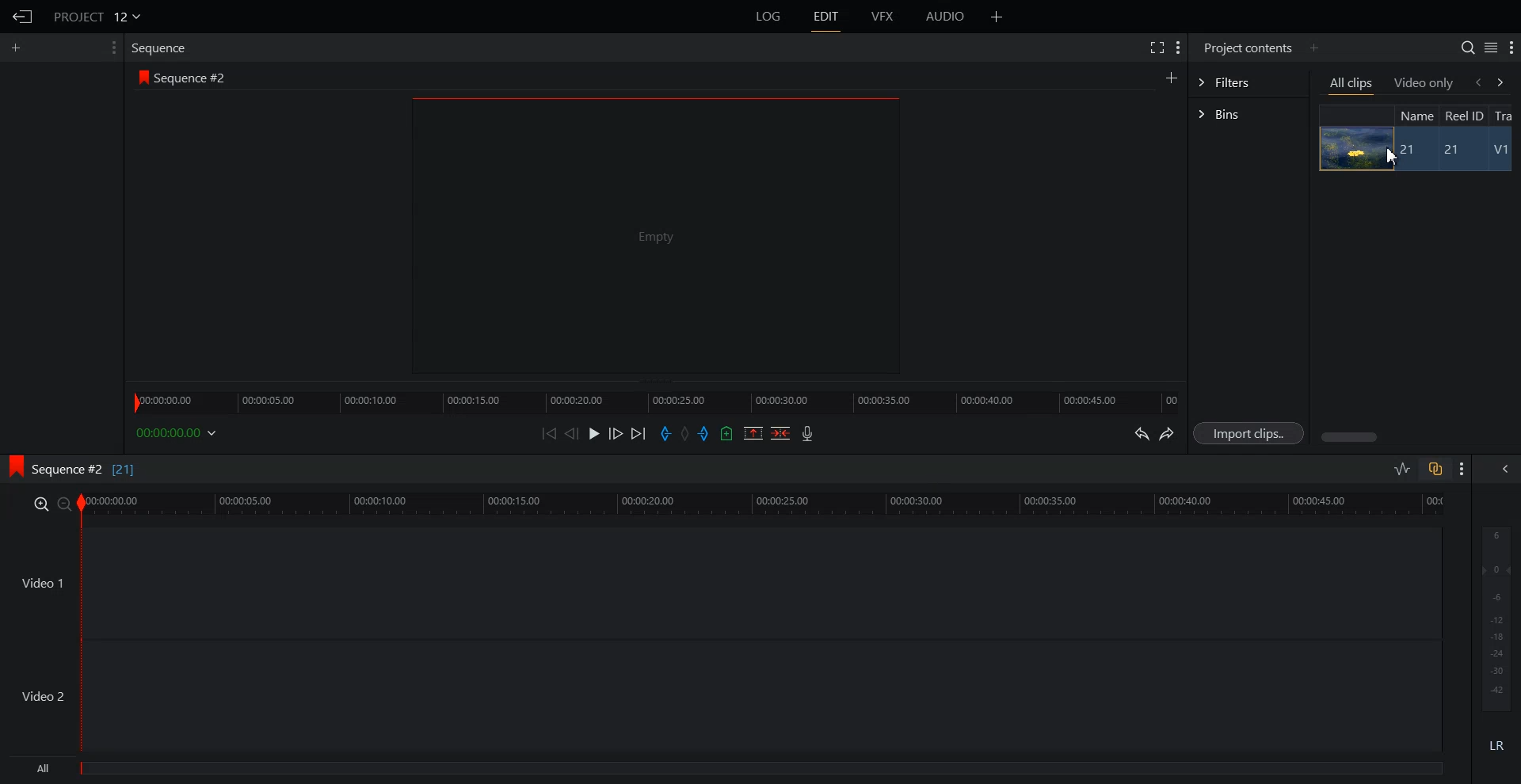  Describe the element at coordinates (706, 433) in the screenshot. I see `Add an out Mark in current position` at that location.